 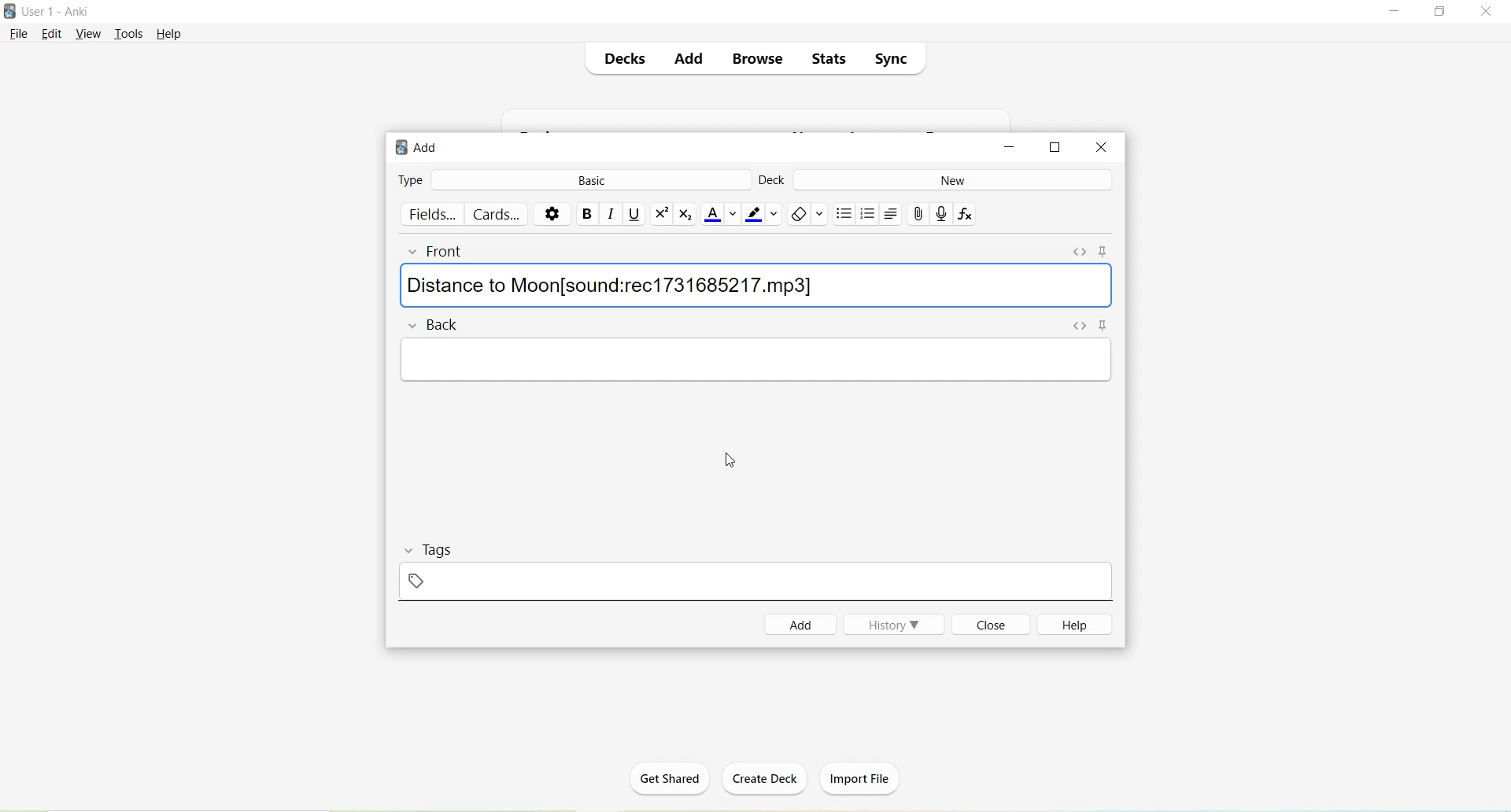 What do you see at coordinates (9, 11) in the screenshot?
I see `Logo` at bounding box center [9, 11].